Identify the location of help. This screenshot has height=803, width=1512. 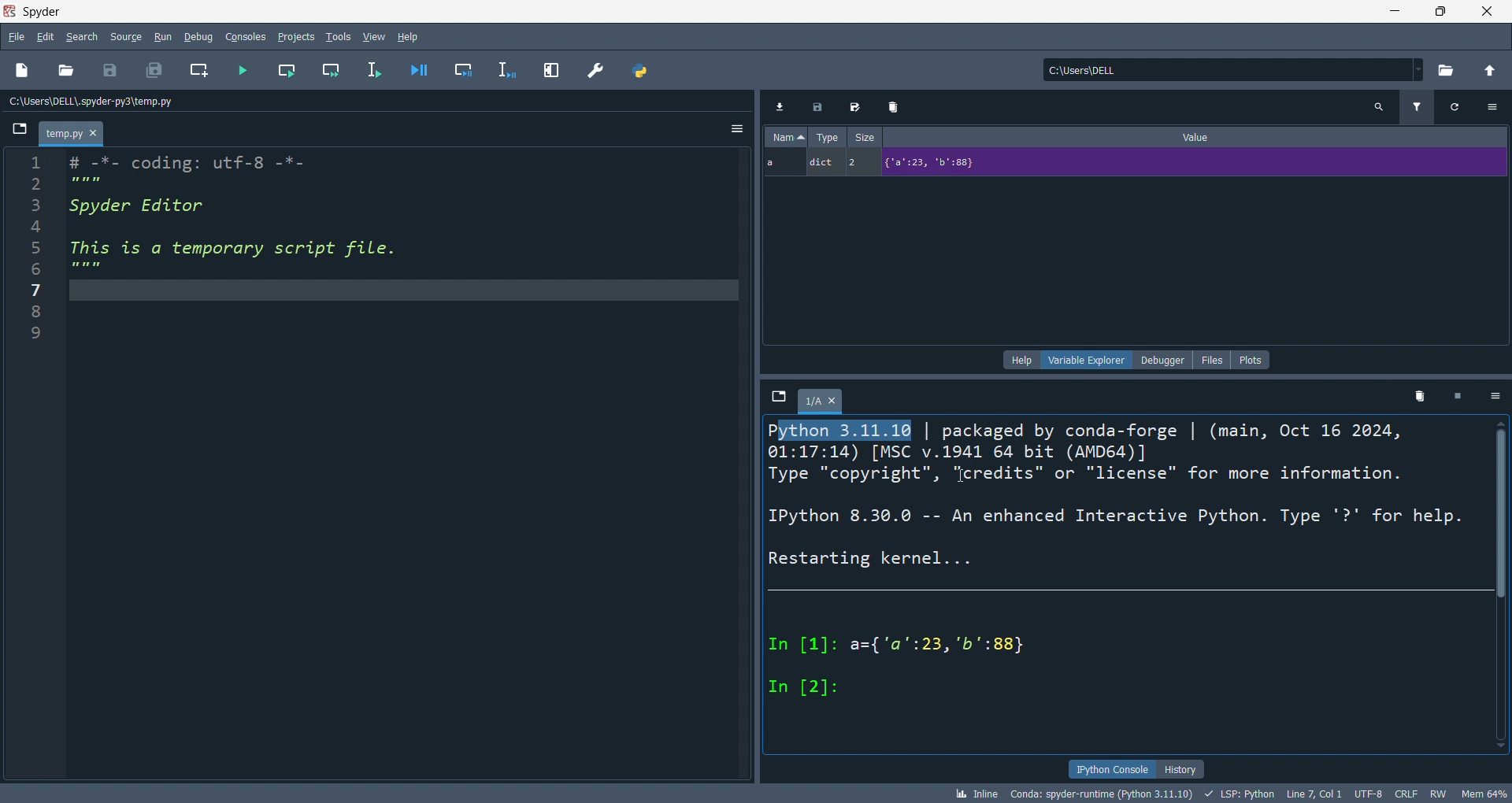
(1020, 361).